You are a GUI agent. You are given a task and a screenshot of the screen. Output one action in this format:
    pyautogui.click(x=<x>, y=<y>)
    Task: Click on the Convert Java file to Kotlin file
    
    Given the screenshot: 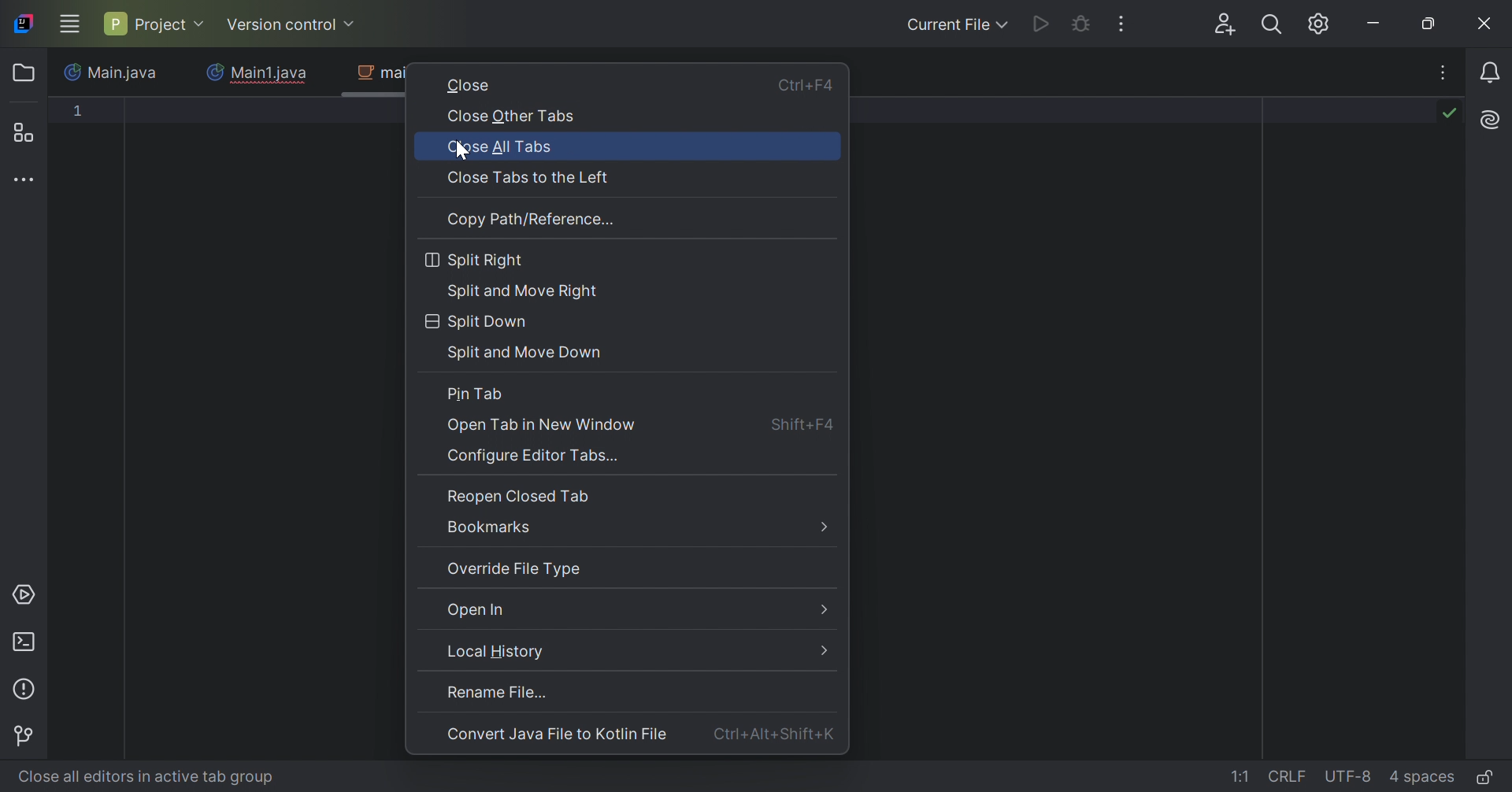 What is the action you would take?
    pyautogui.click(x=561, y=736)
    